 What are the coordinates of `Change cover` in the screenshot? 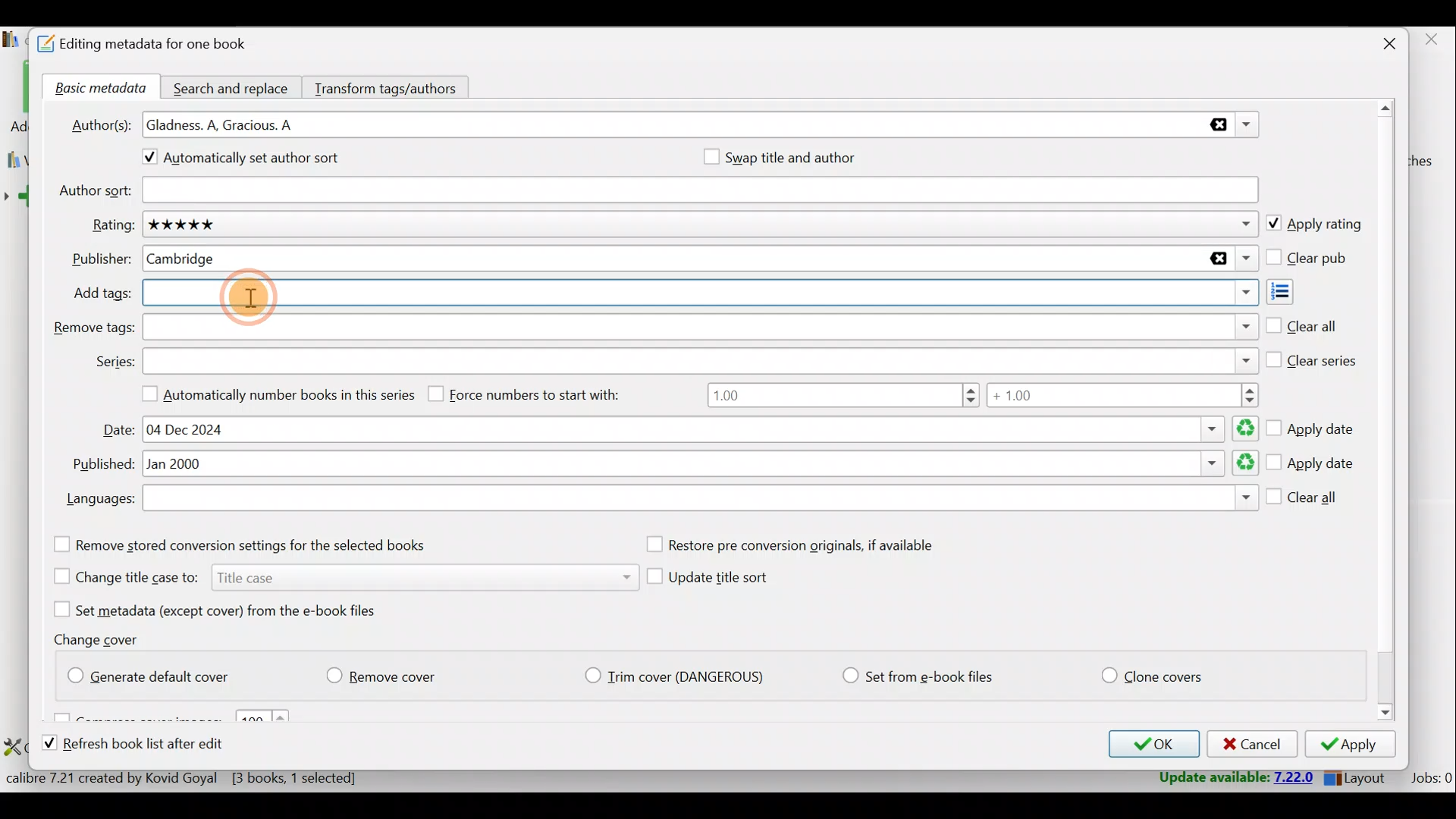 It's located at (102, 639).